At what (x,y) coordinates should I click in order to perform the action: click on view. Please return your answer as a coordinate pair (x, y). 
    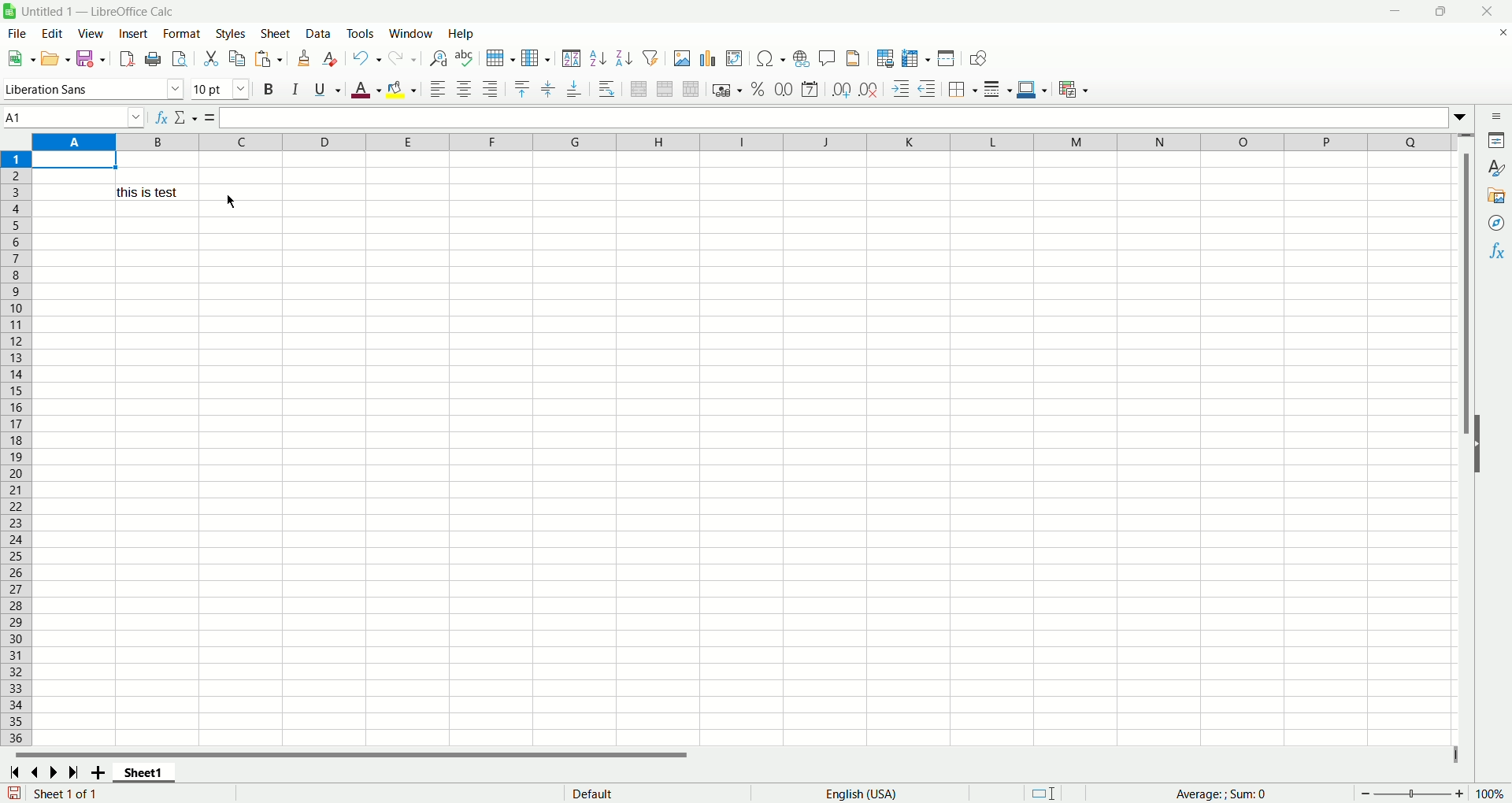
    Looking at the image, I should click on (93, 34).